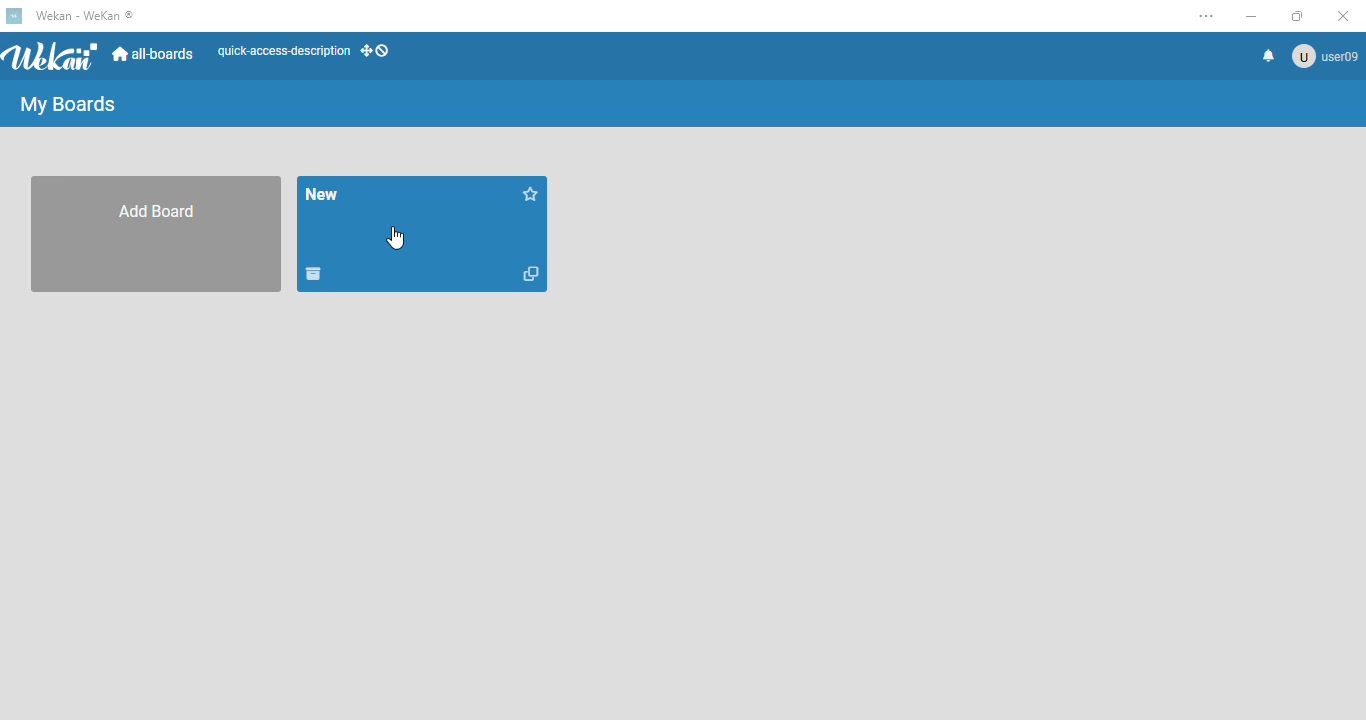 The image size is (1366, 720). What do you see at coordinates (154, 54) in the screenshot?
I see `all-boards` at bounding box center [154, 54].